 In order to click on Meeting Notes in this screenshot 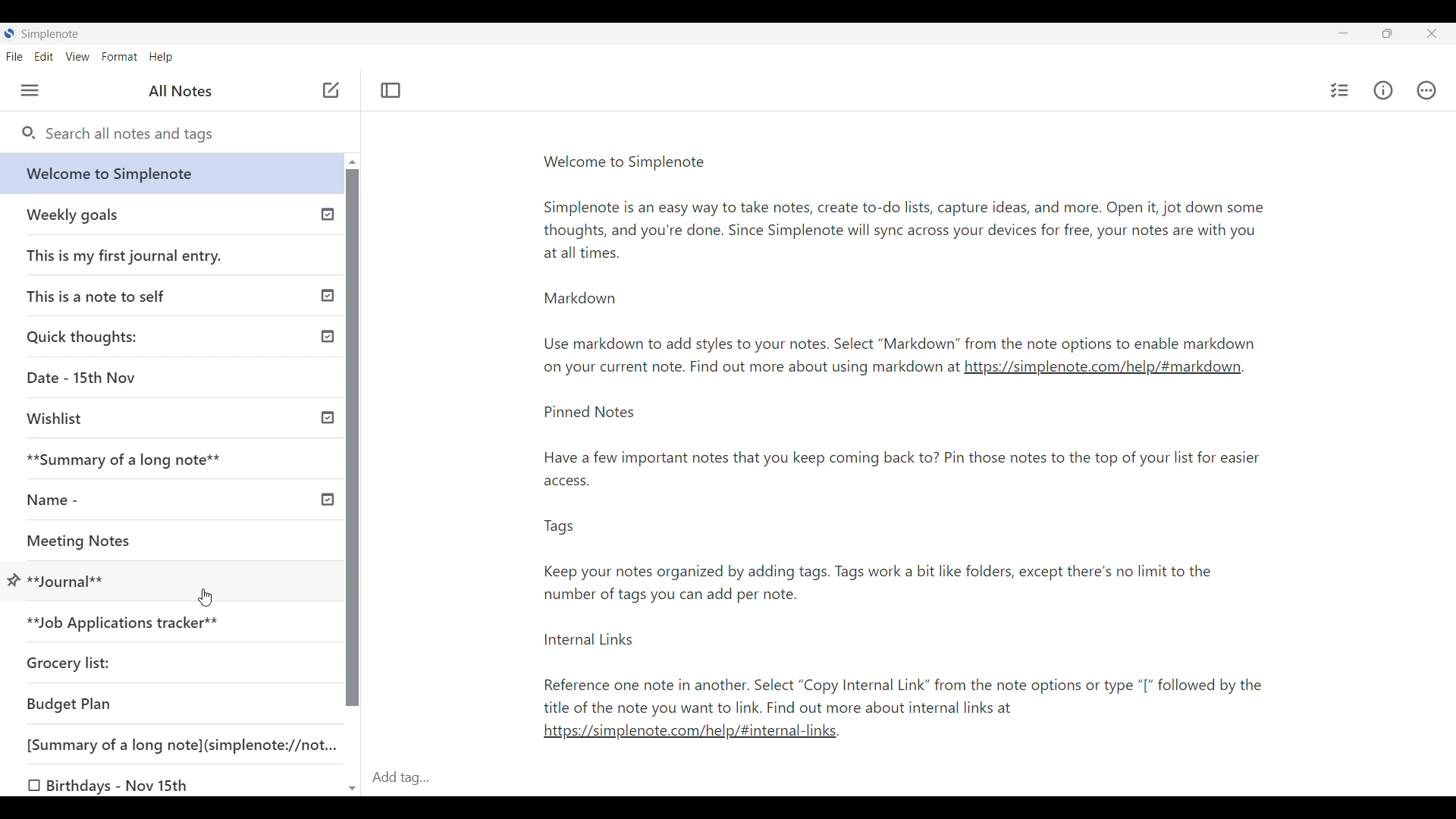, I will do `click(96, 538)`.